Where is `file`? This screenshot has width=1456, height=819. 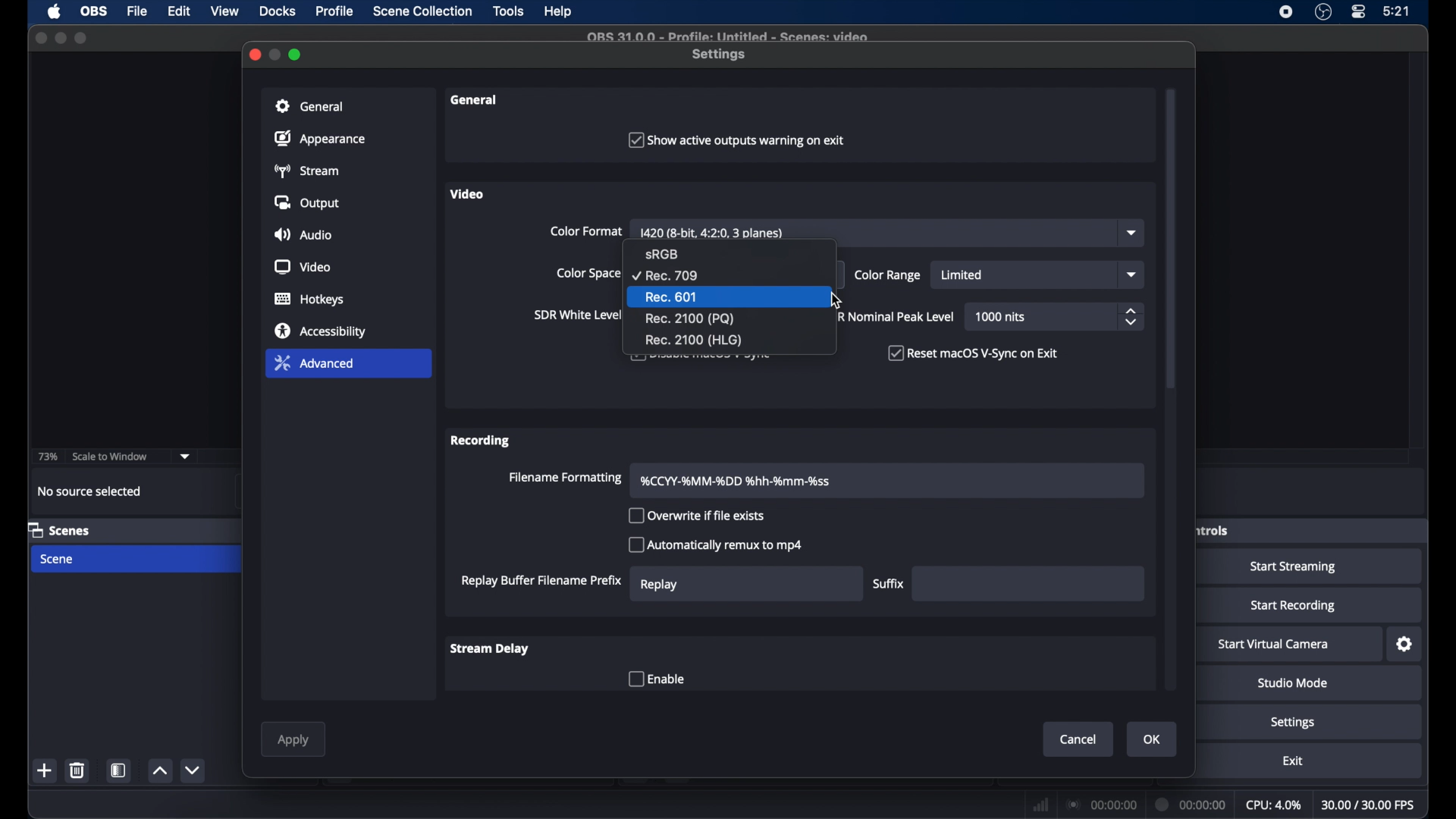
file is located at coordinates (138, 11).